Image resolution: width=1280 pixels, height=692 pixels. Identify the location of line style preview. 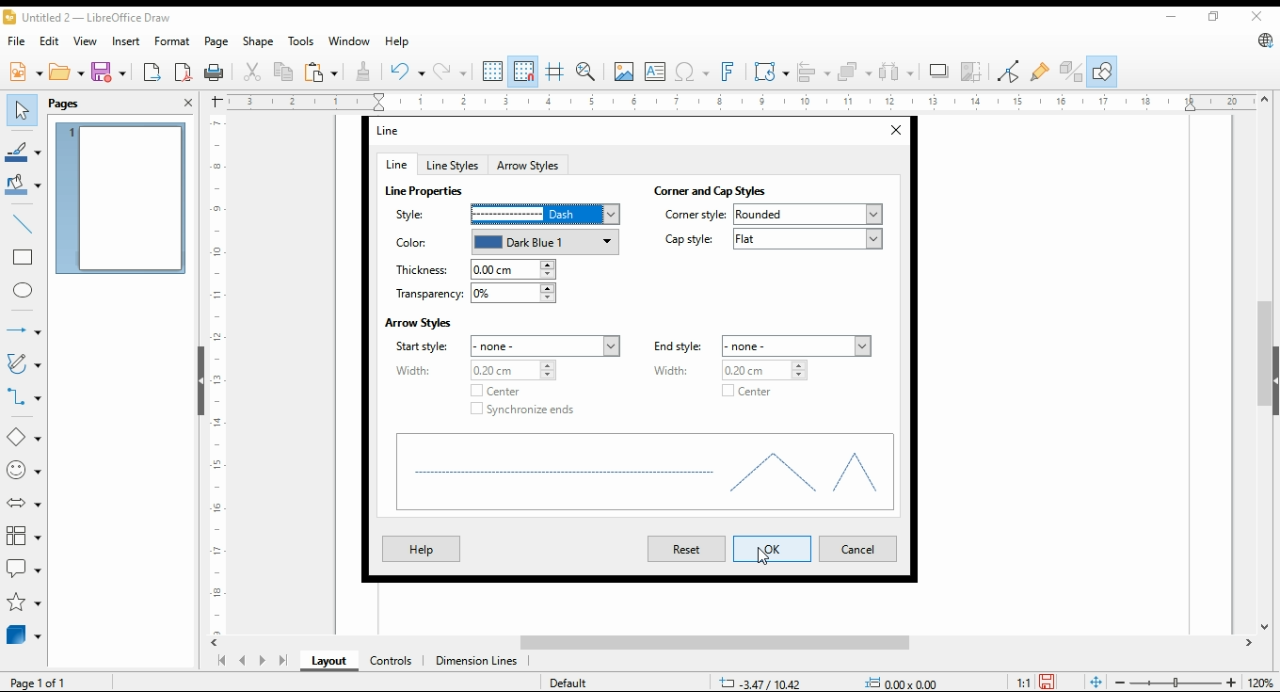
(646, 475).